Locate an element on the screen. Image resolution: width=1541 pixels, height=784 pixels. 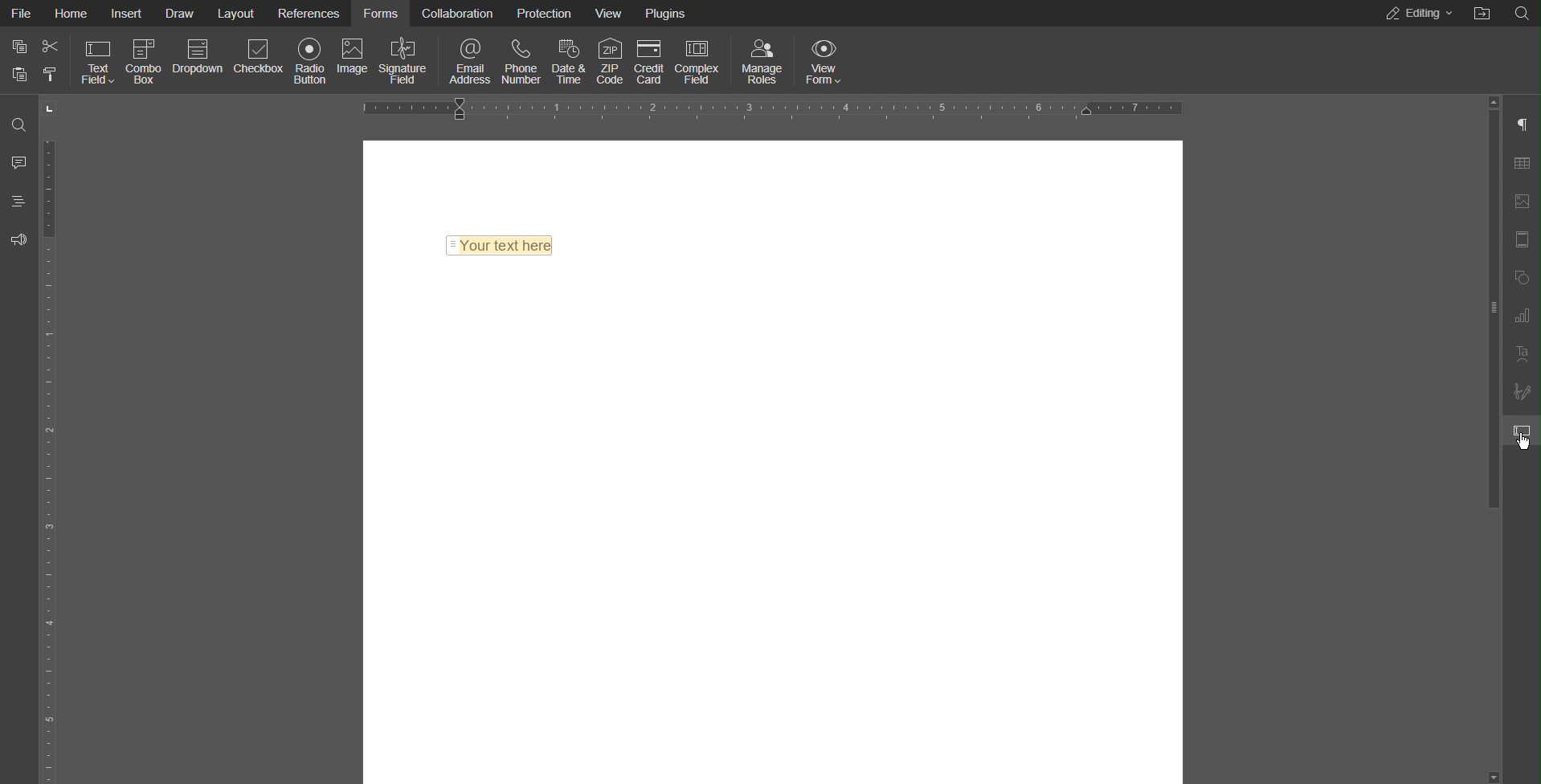
copy is located at coordinates (21, 47).